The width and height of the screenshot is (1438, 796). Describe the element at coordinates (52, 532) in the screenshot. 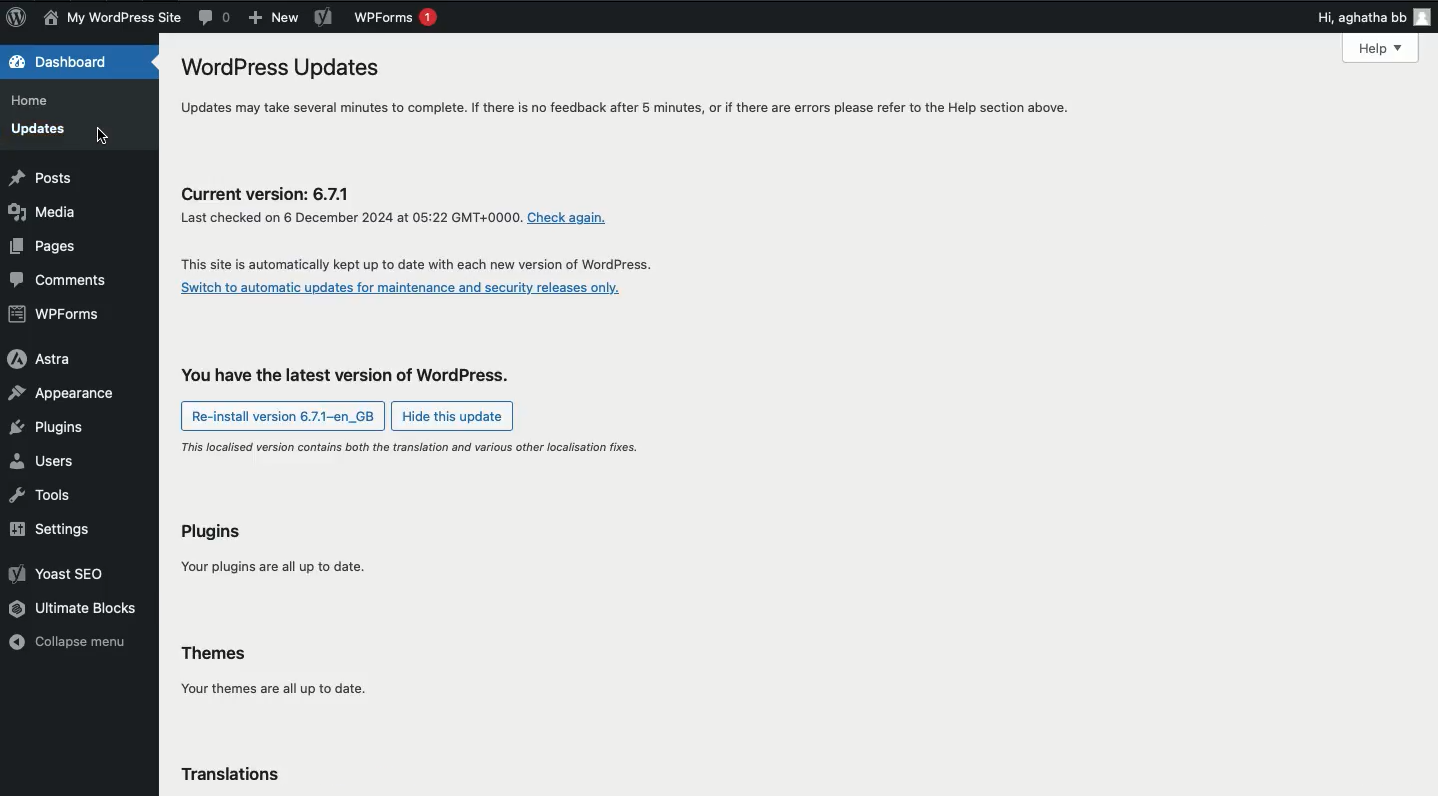

I see `Settings` at that location.